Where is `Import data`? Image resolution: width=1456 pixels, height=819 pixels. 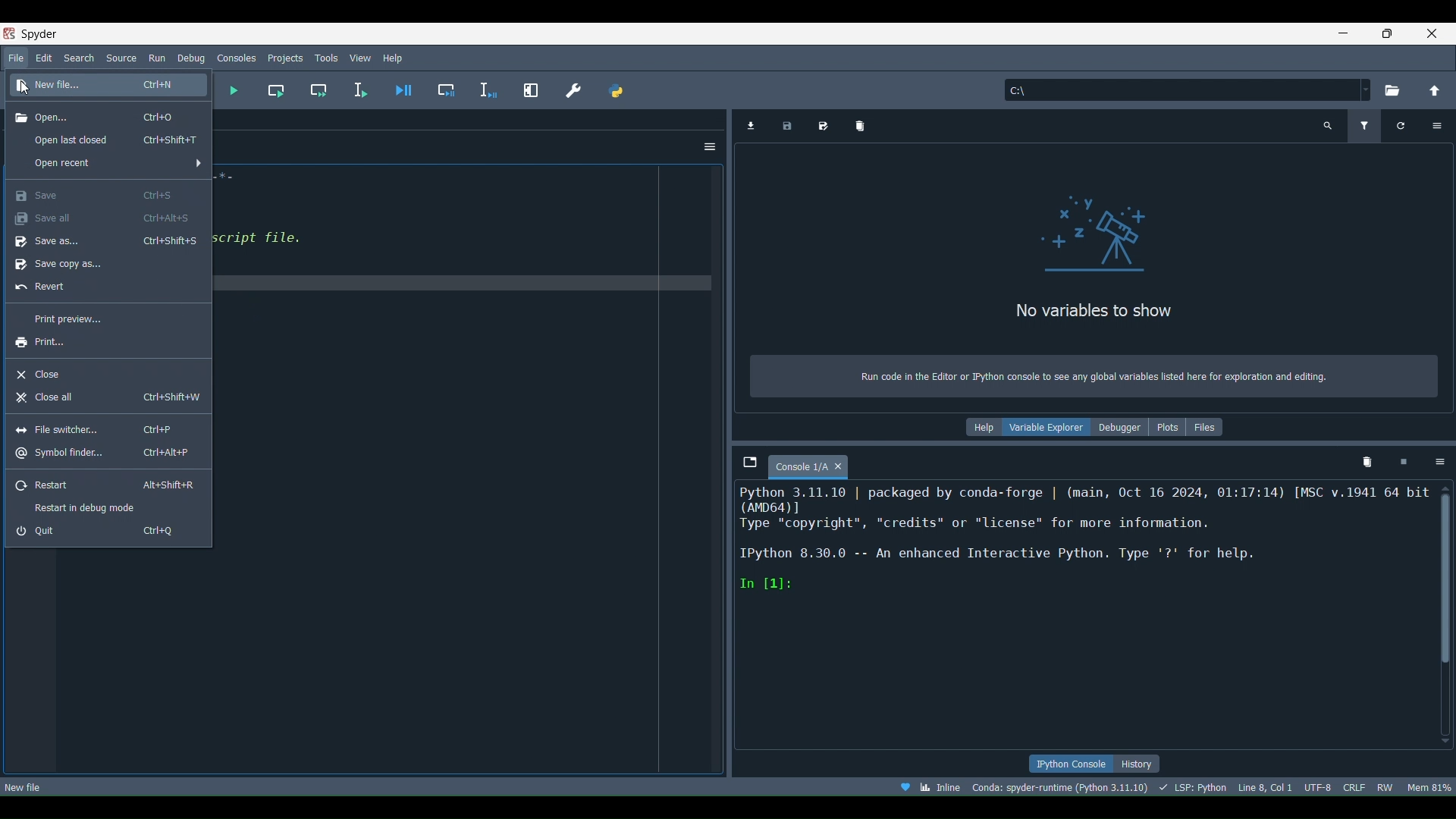 Import data is located at coordinates (754, 124).